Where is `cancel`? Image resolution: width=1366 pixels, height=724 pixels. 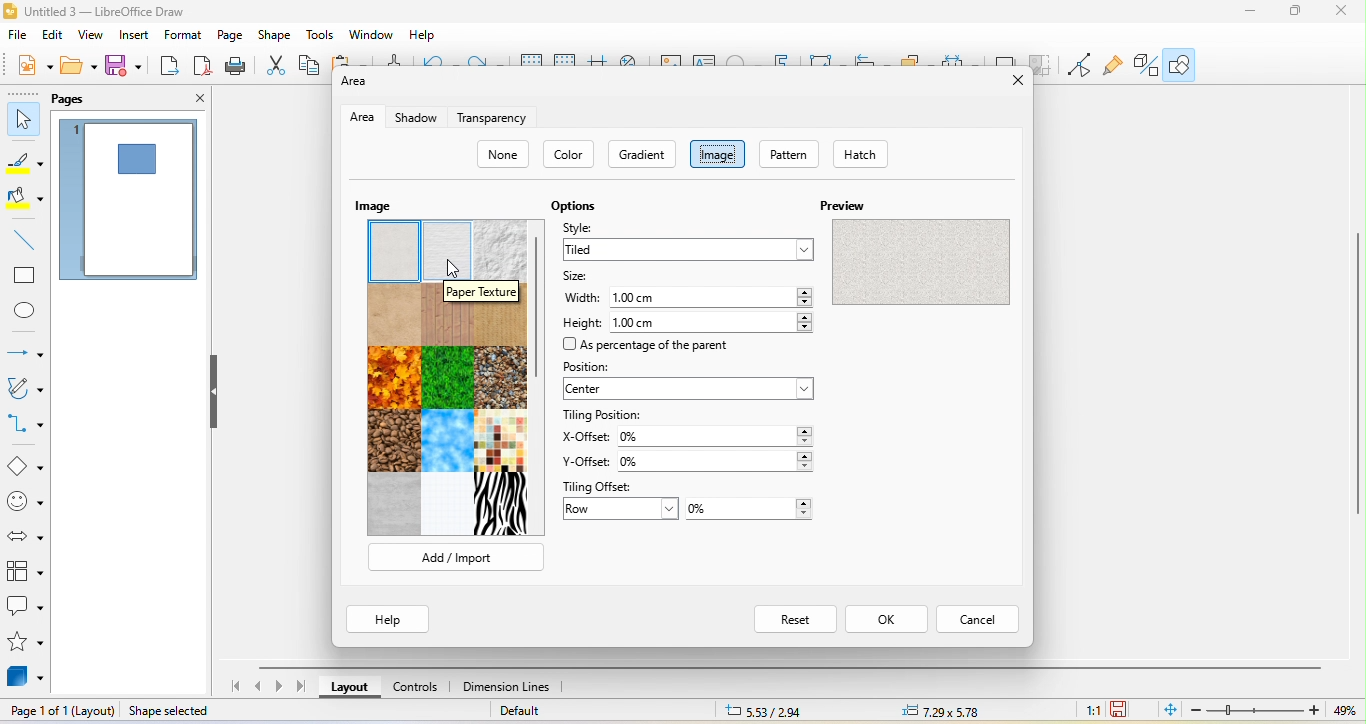
cancel is located at coordinates (979, 618).